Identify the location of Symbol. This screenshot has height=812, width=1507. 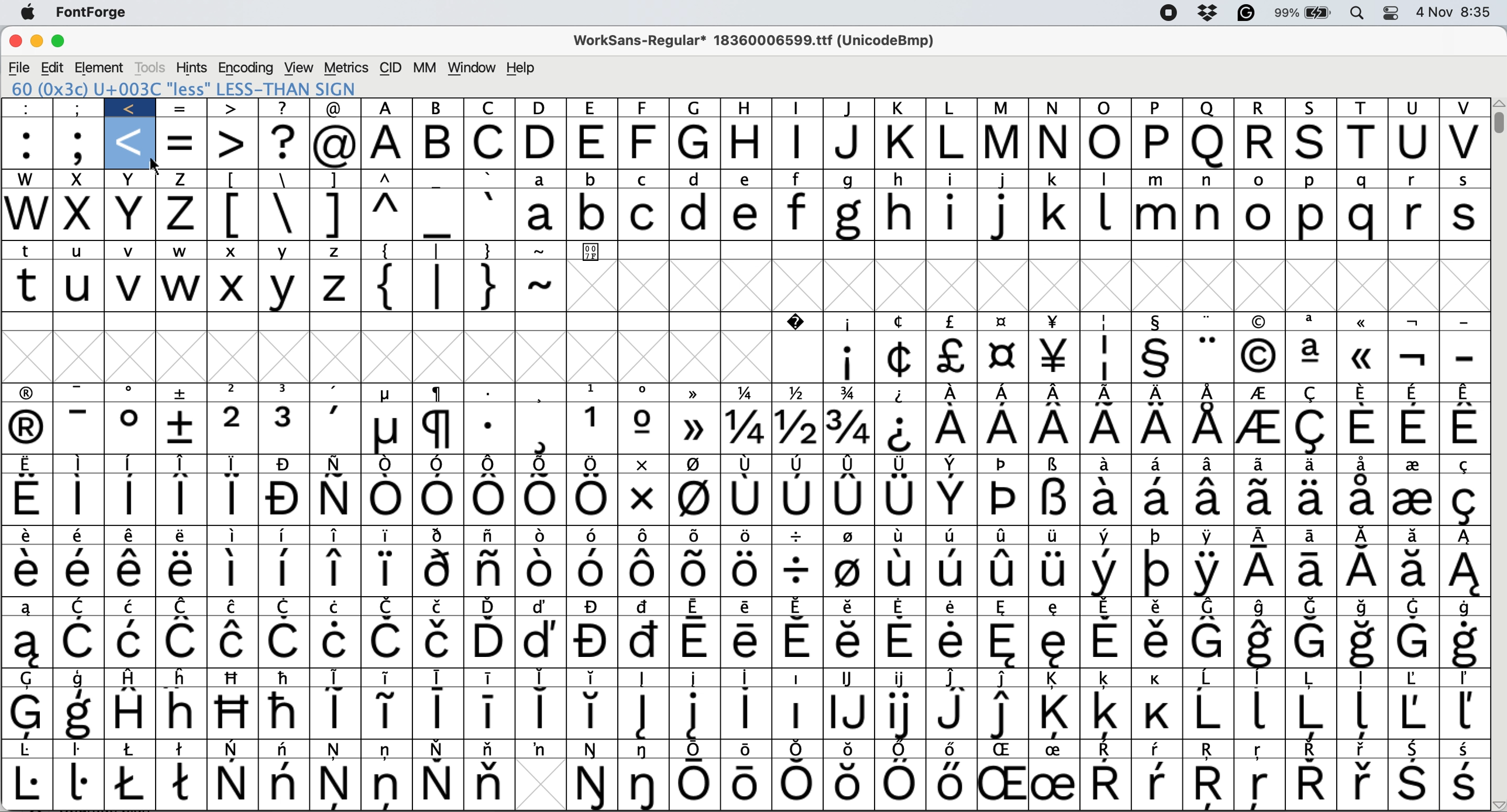
(387, 606).